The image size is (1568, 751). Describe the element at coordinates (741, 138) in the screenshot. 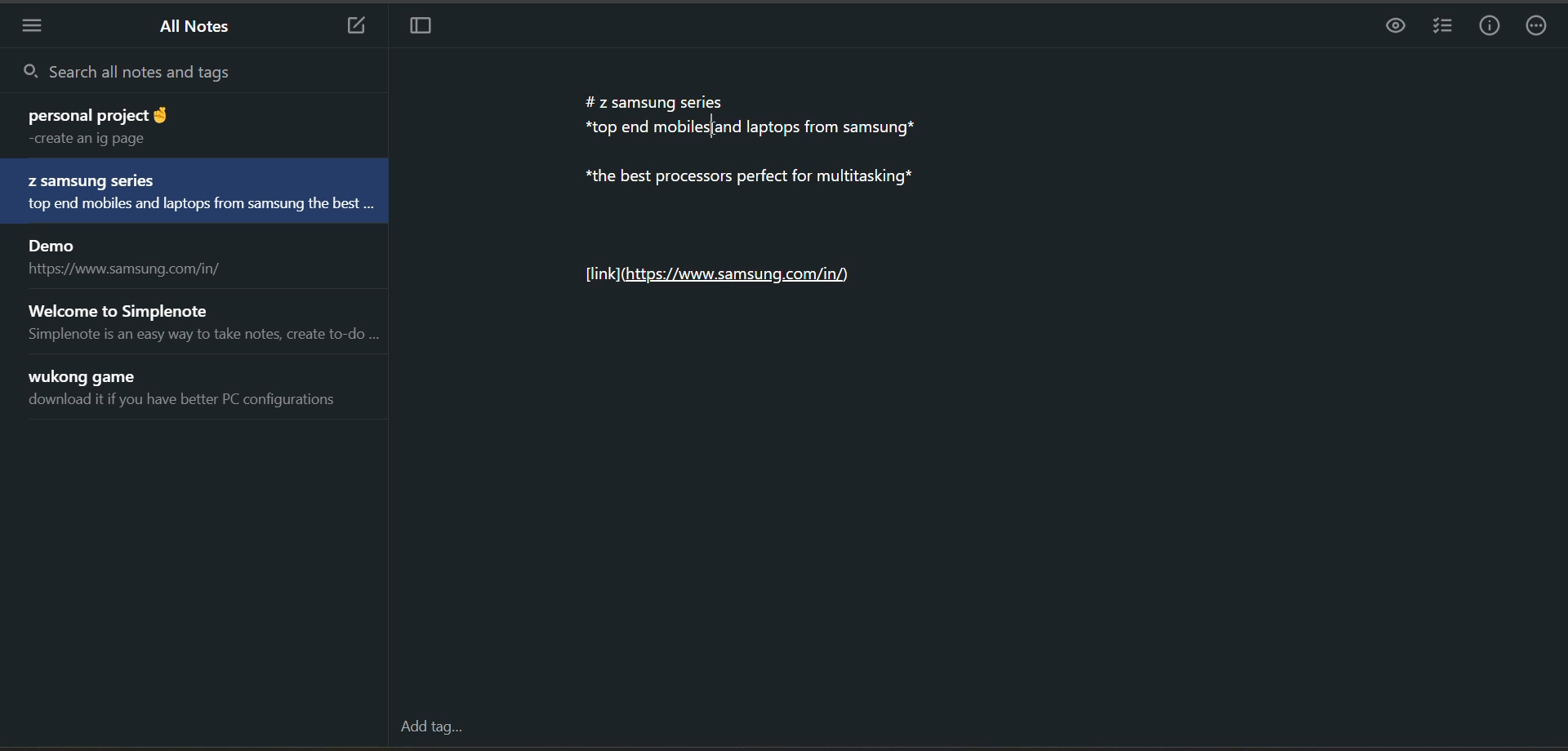

I see `data in the current note` at that location.